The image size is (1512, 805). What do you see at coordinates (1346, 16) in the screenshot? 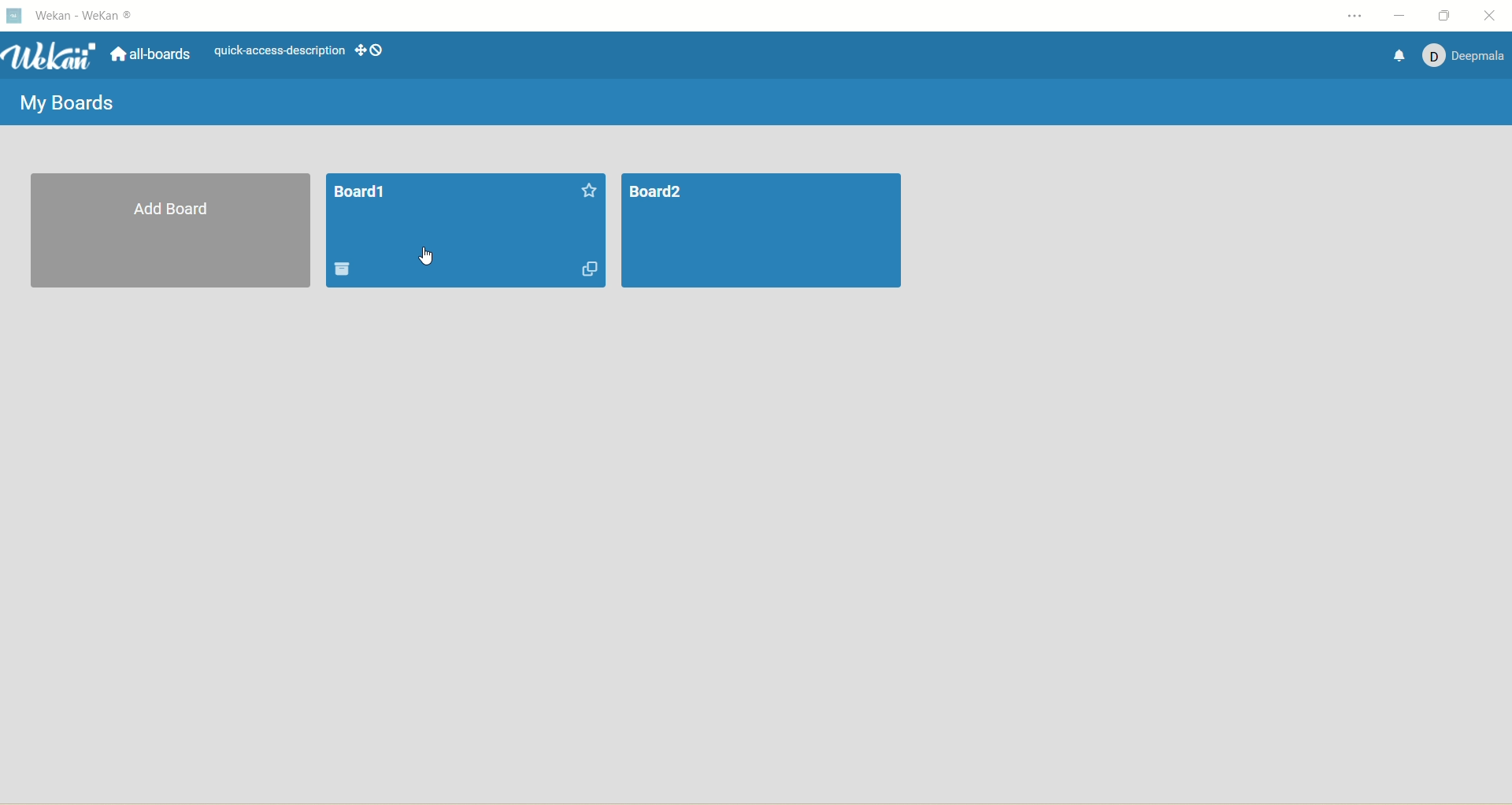
I see `settings and more` at bounding box center [1346, 16].